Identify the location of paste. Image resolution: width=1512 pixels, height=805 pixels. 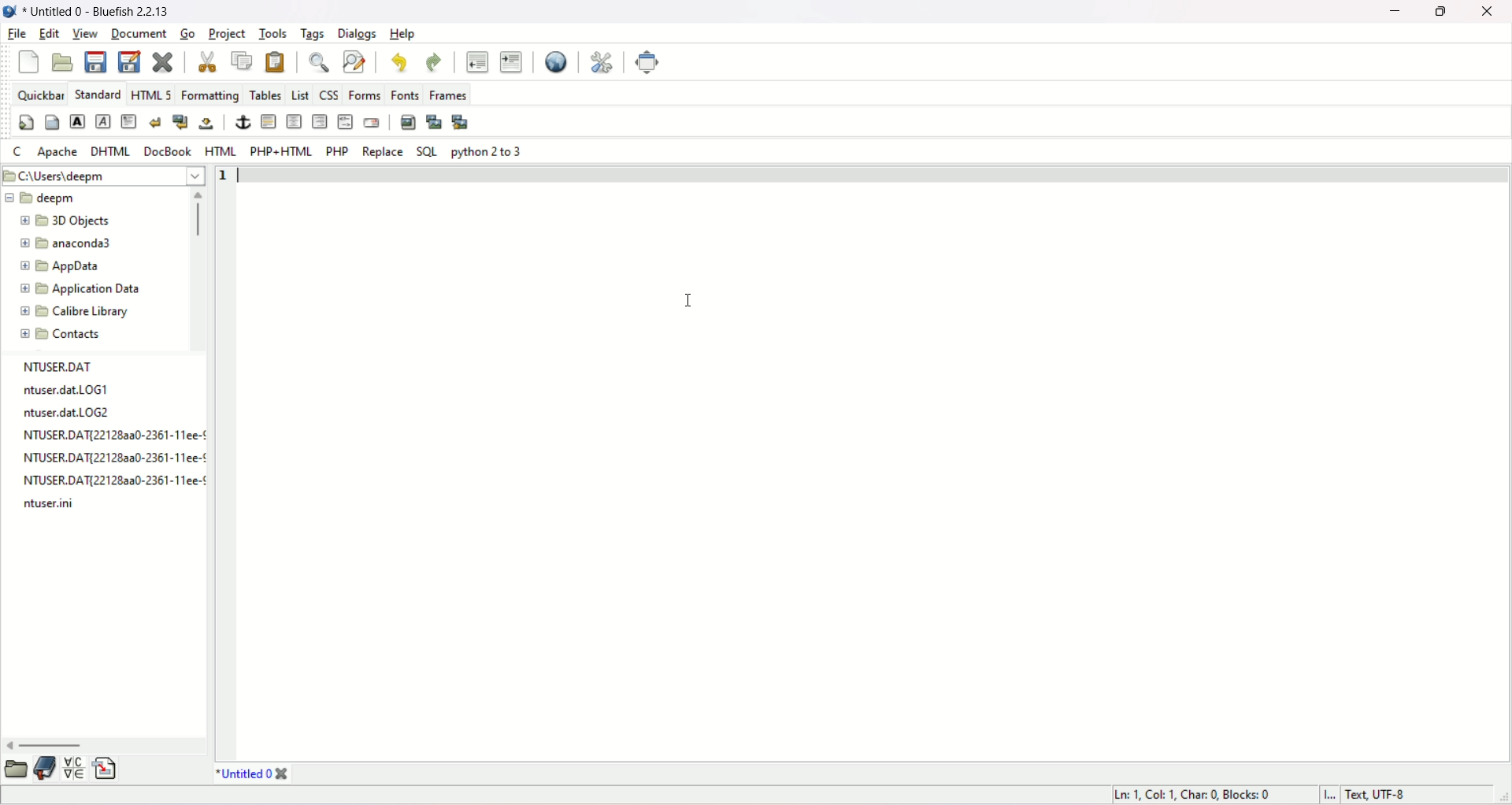
(277, 62).